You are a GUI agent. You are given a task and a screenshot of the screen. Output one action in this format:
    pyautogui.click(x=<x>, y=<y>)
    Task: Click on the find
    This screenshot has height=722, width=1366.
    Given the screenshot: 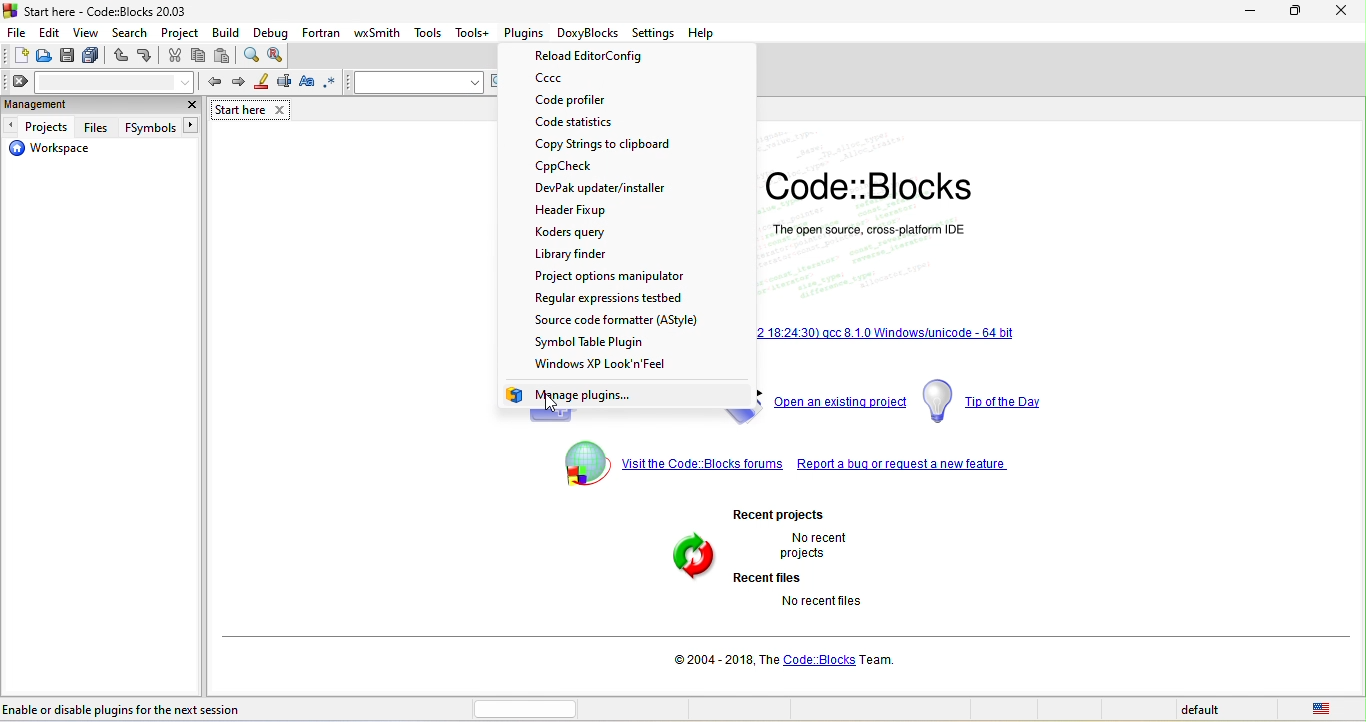 What is the action you would take?
    pyautogui.click(x=252, y=55)
    